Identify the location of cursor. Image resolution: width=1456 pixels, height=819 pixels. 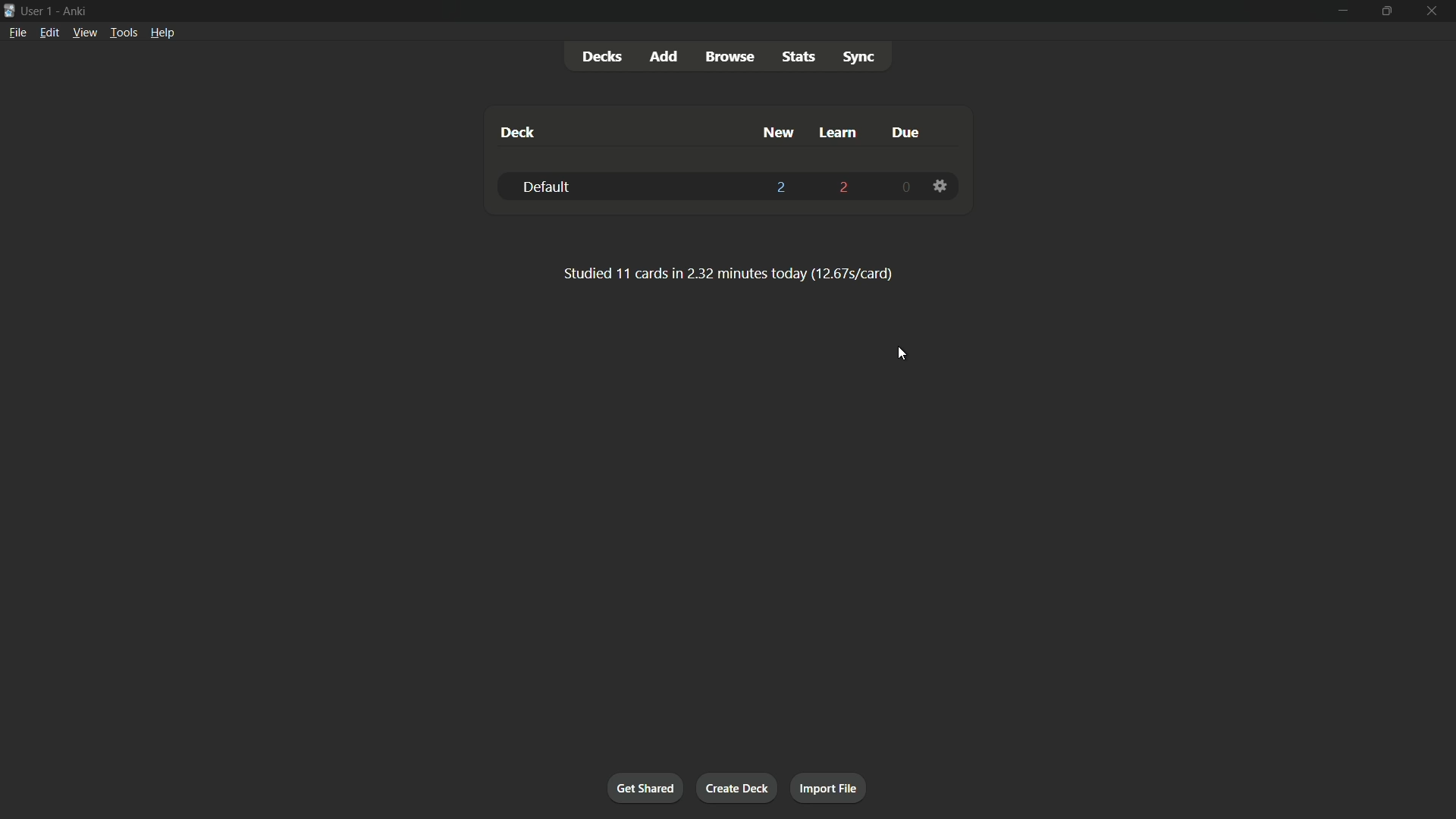
(905, 353).